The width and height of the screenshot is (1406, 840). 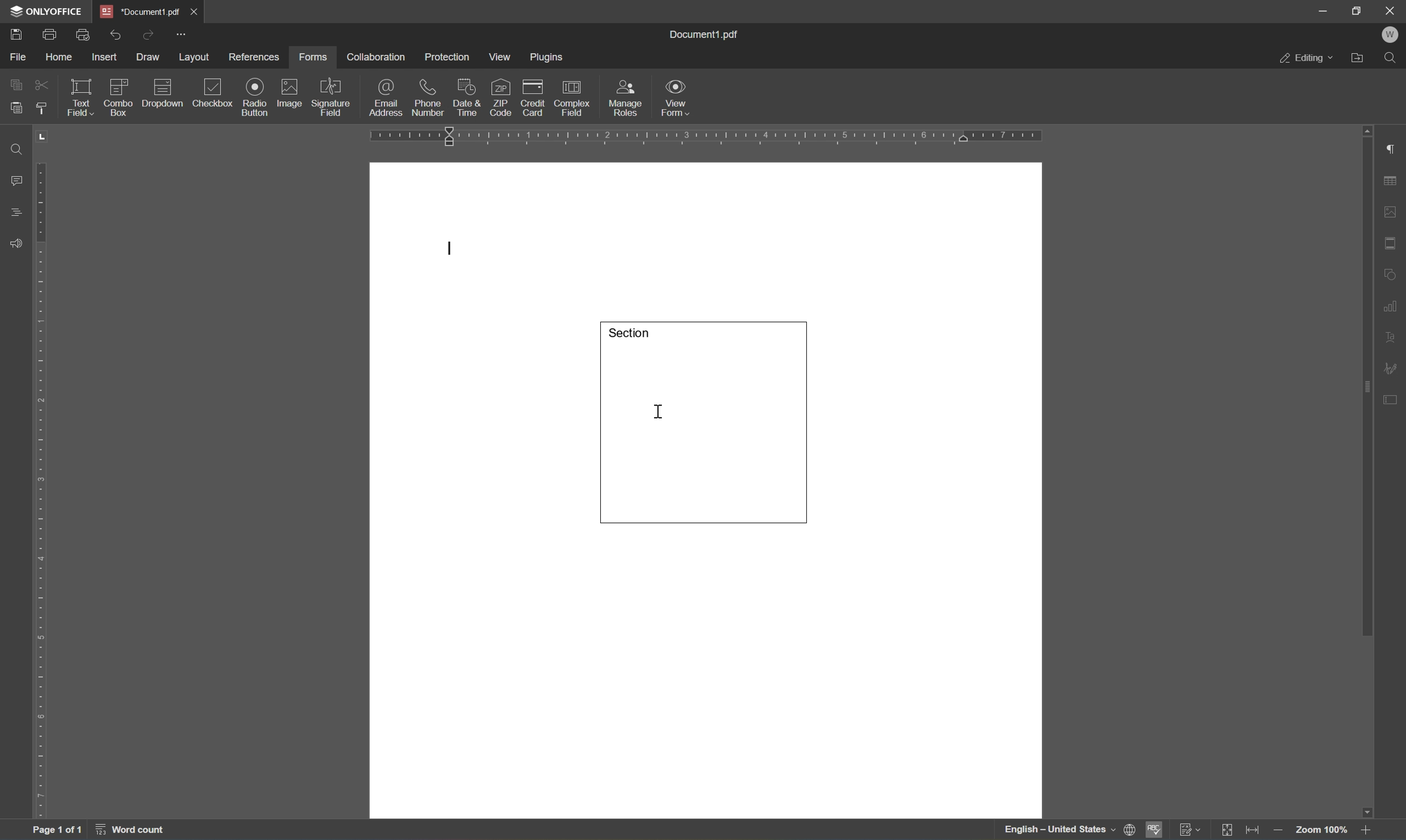 What do you see at coordinates (253, 58) in the screenshot?
I see `references` at bounding box center [253, 58].